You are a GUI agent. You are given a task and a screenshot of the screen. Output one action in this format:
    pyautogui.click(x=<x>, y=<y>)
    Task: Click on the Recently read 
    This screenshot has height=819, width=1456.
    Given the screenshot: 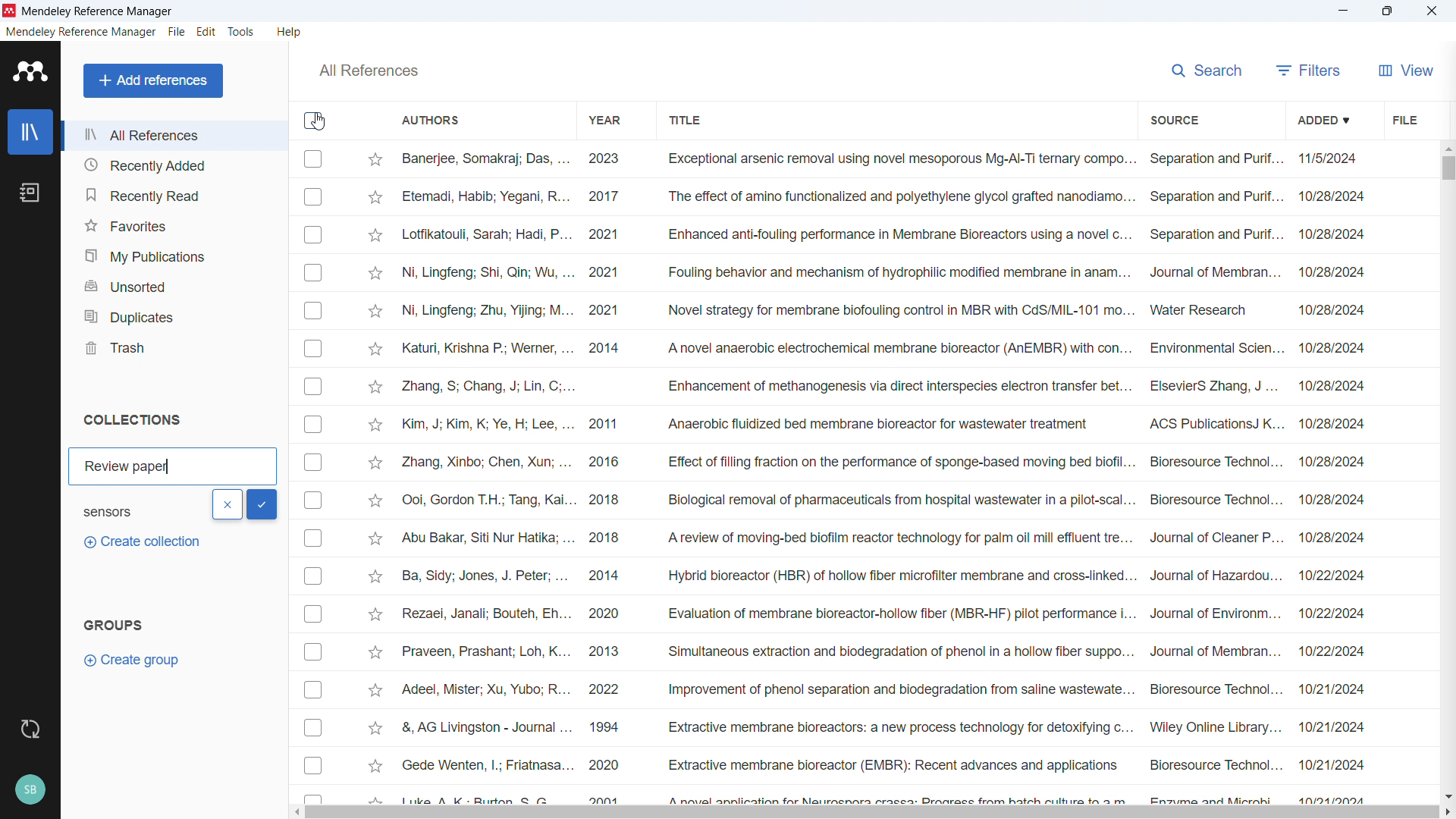 What is the action you would take?
    pyautogui.click(x=172, y=193)
    